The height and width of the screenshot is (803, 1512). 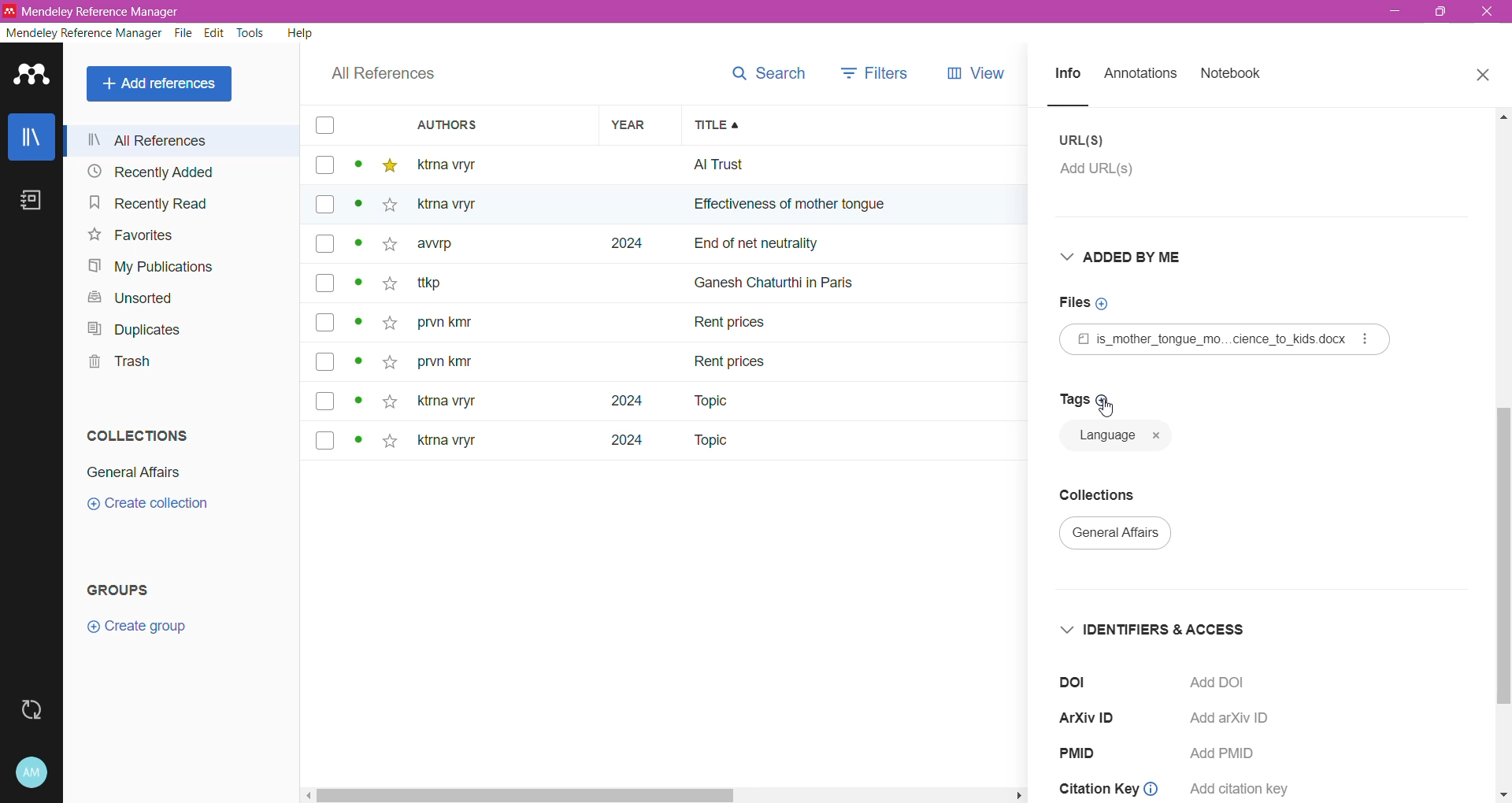 I want to click on Add PMID, so click(x=1228, y=753).